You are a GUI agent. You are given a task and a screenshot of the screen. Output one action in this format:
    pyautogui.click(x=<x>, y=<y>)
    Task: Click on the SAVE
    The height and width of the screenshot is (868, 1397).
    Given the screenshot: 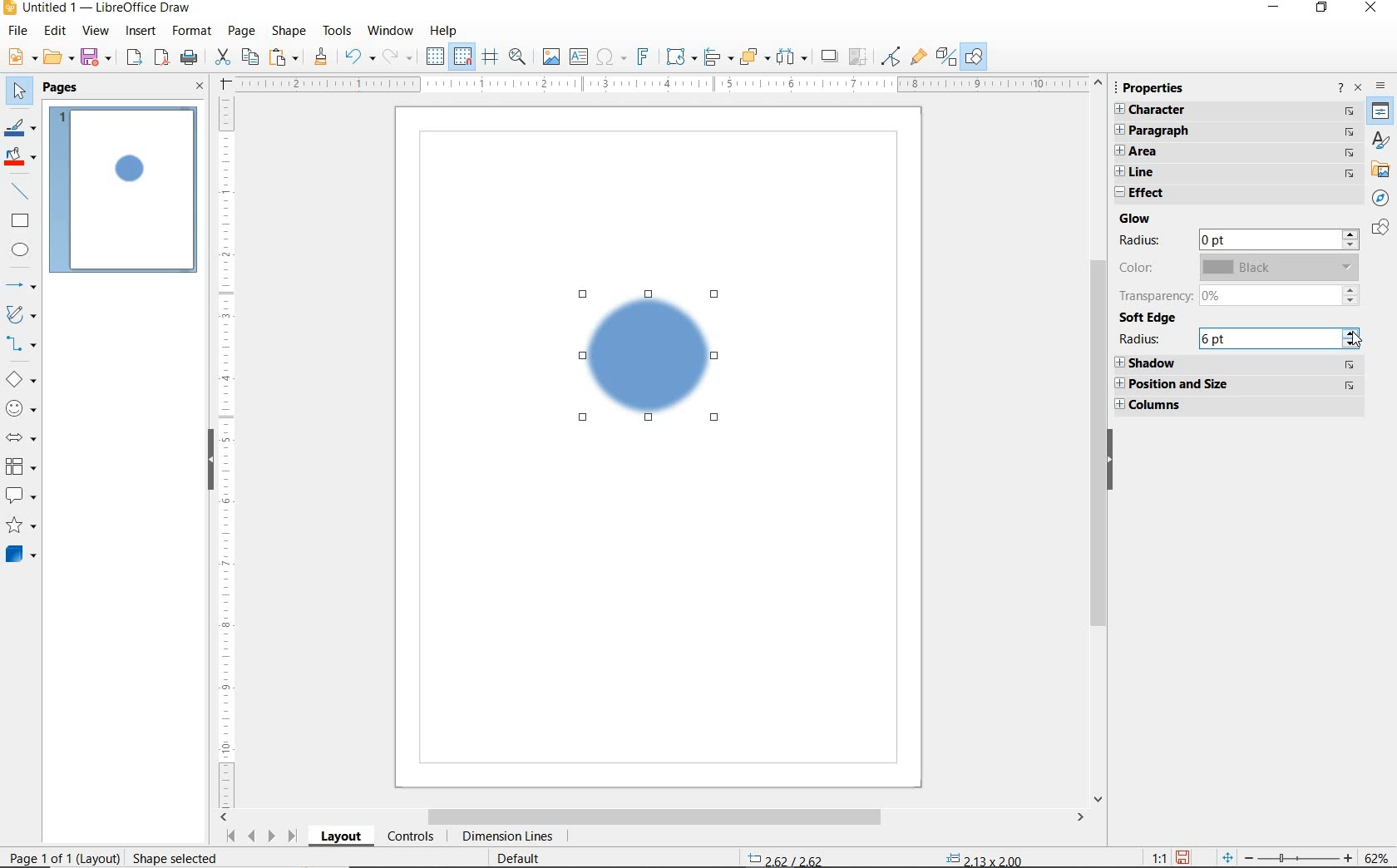 What is the action you would take?
    pyautogui.click(x=97, y=57)
    